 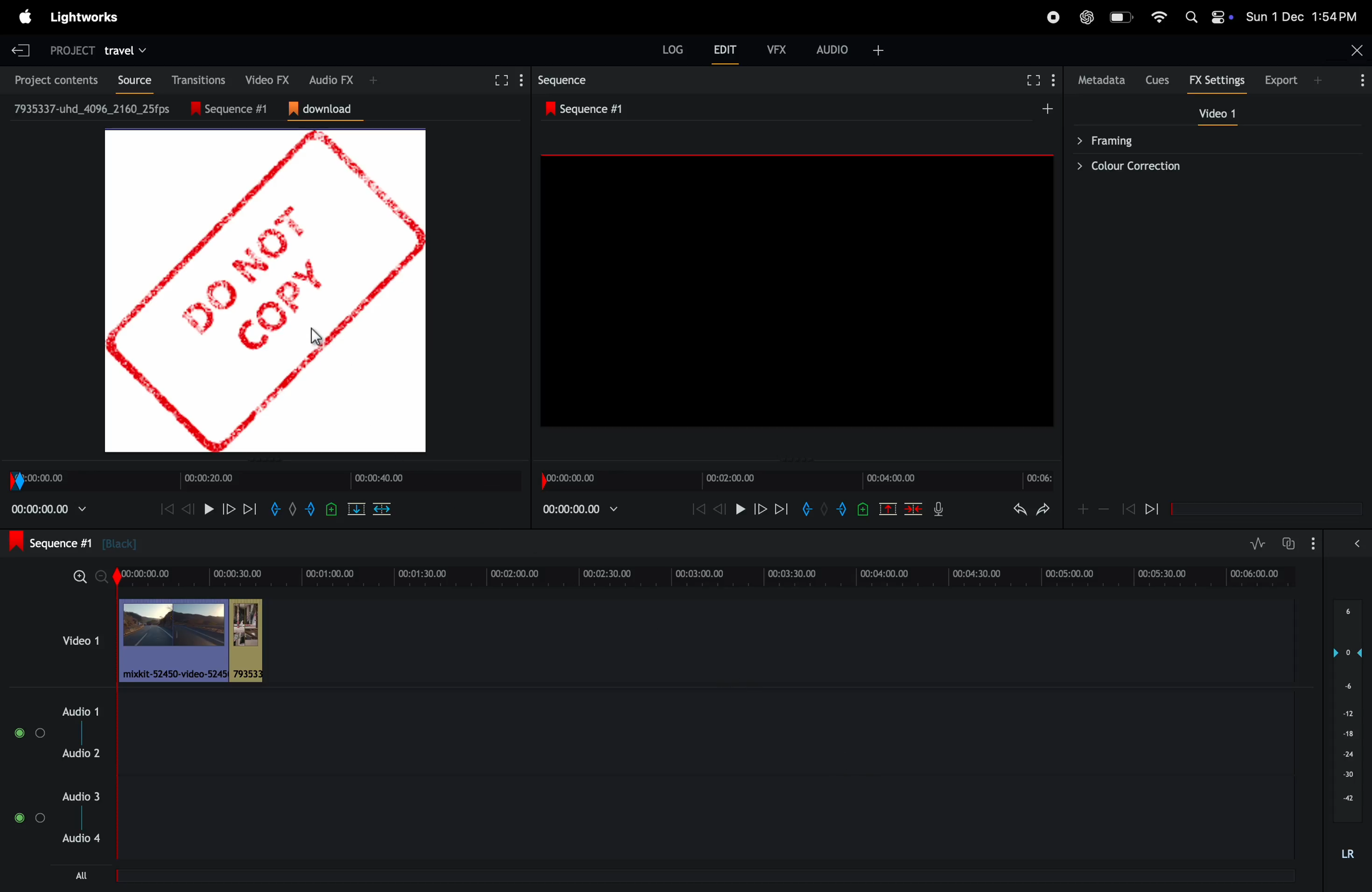 I want to click on Drag to change dimension, so click(x=268, y=460).